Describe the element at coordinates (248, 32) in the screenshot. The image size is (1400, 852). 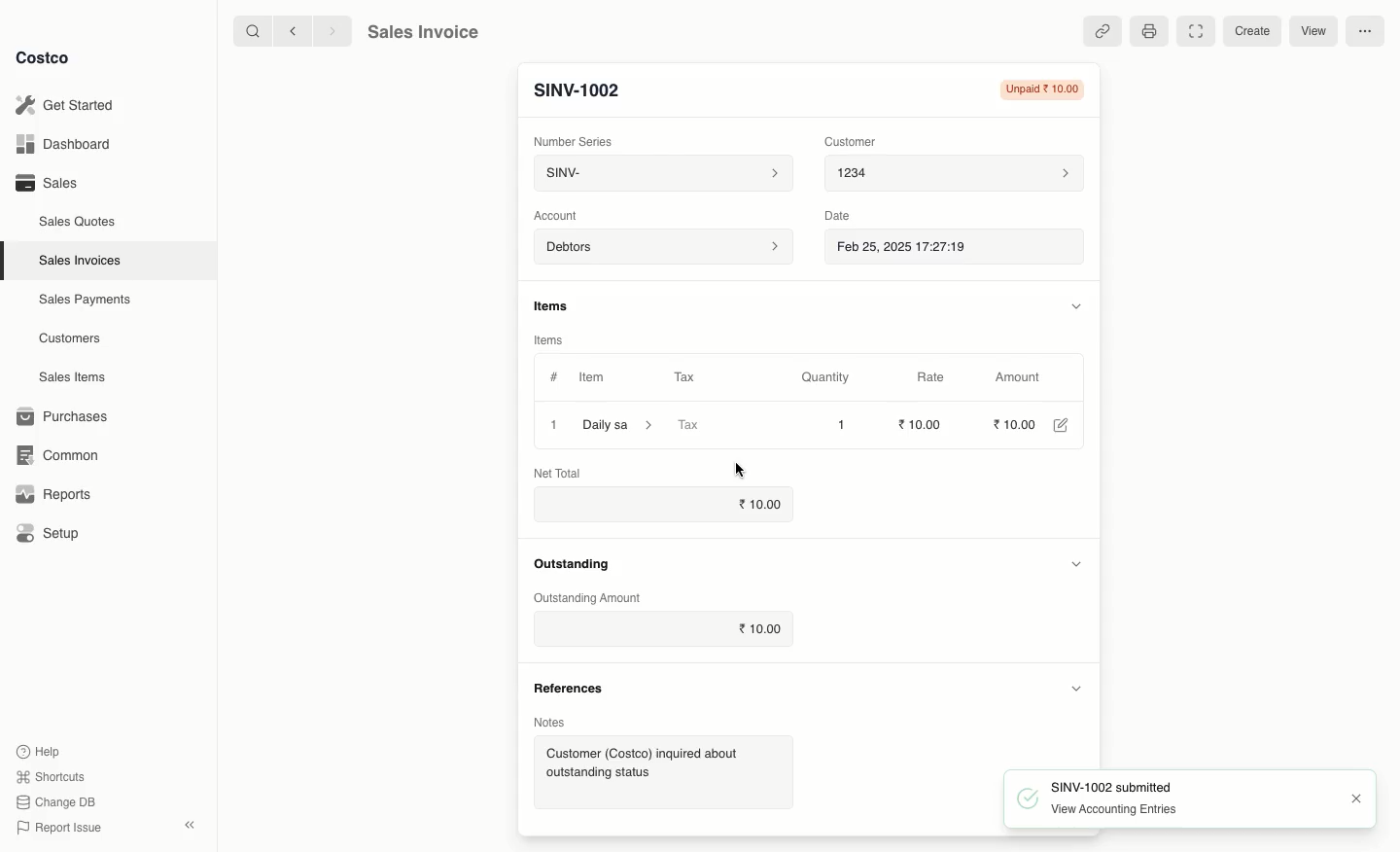
I see `Search` at that location.